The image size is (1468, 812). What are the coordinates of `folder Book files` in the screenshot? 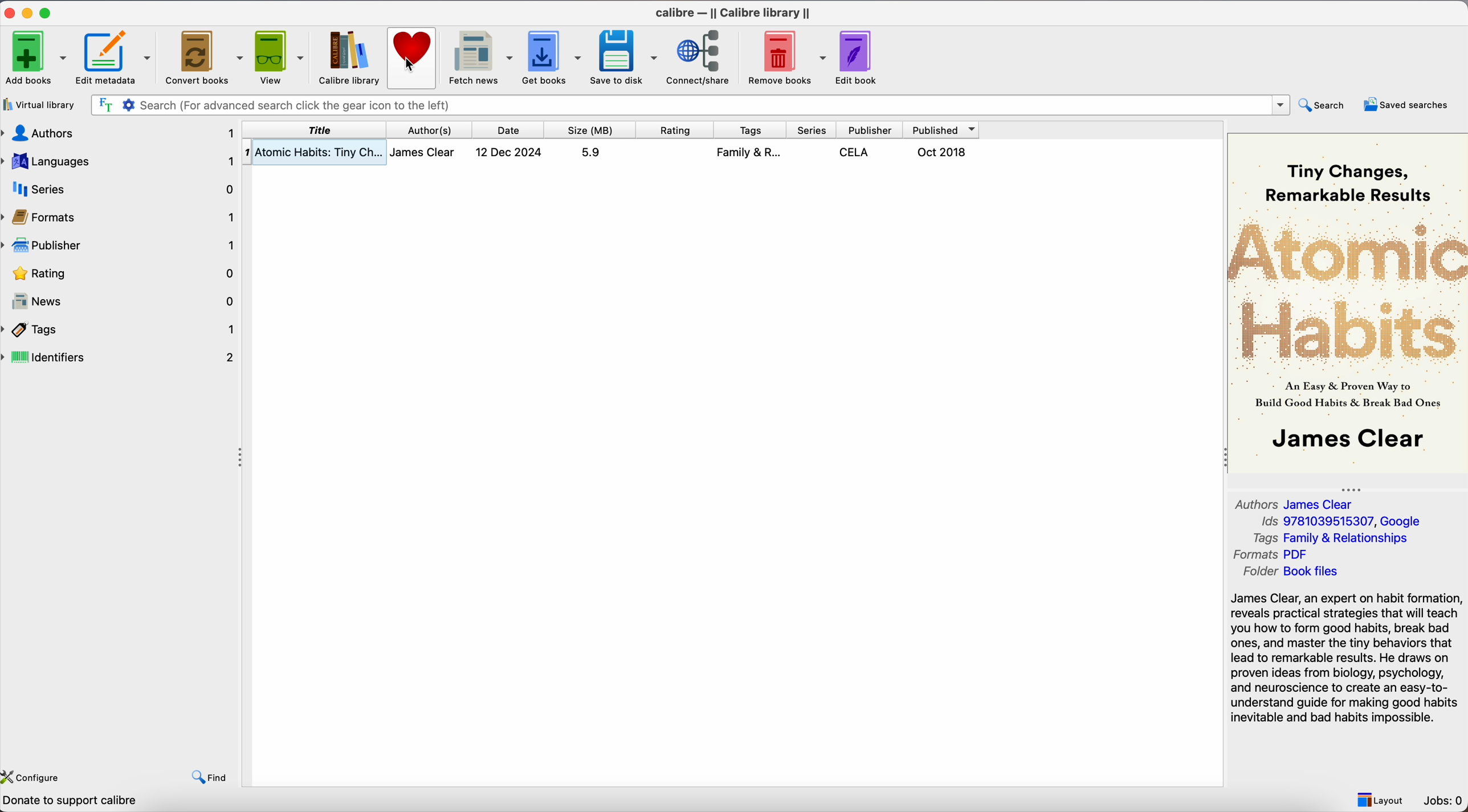 It's located at (1291, 574).